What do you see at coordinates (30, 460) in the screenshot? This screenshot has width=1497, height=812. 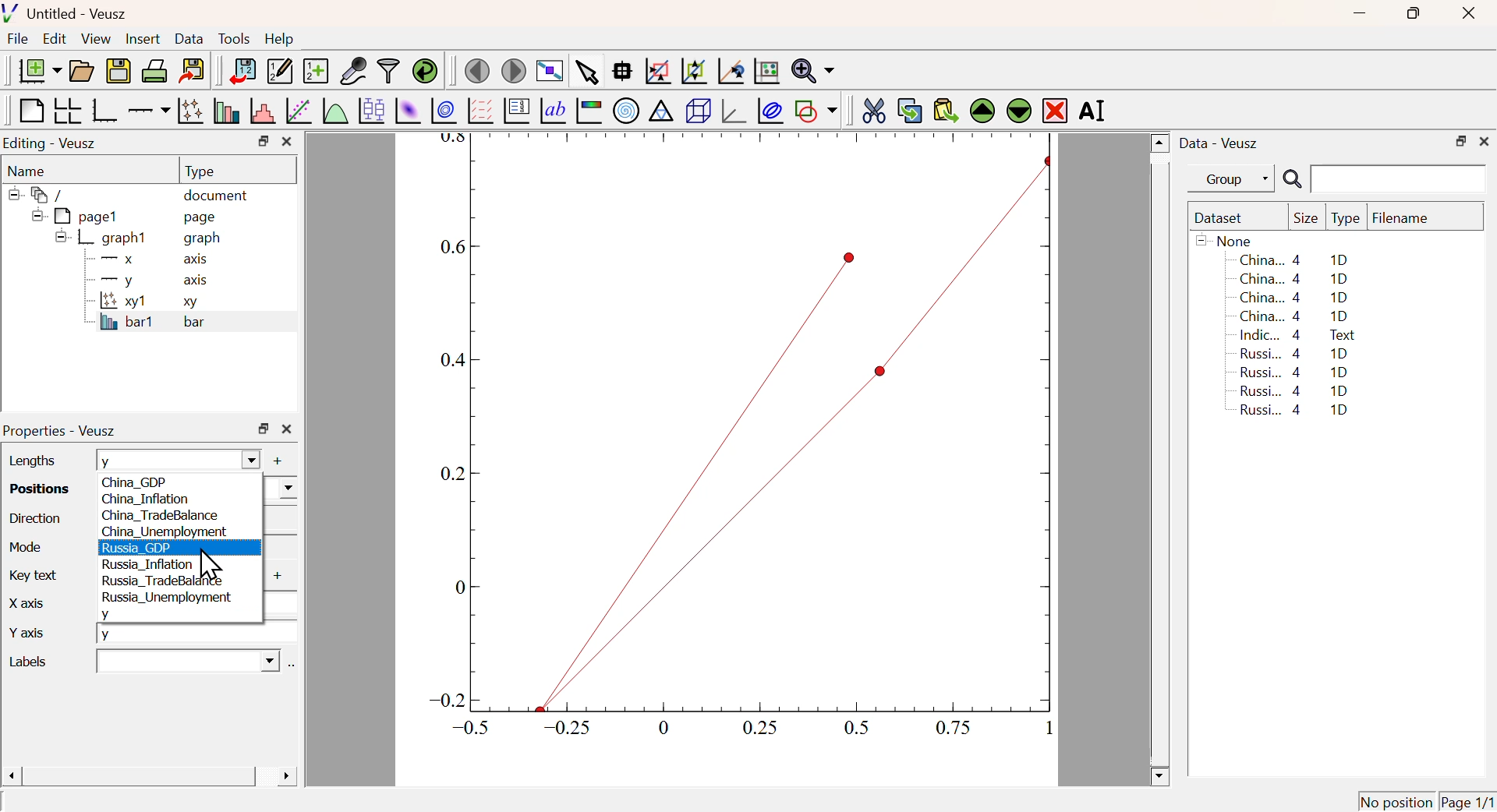 I see `Lengths` at bounding box center [30, 460].